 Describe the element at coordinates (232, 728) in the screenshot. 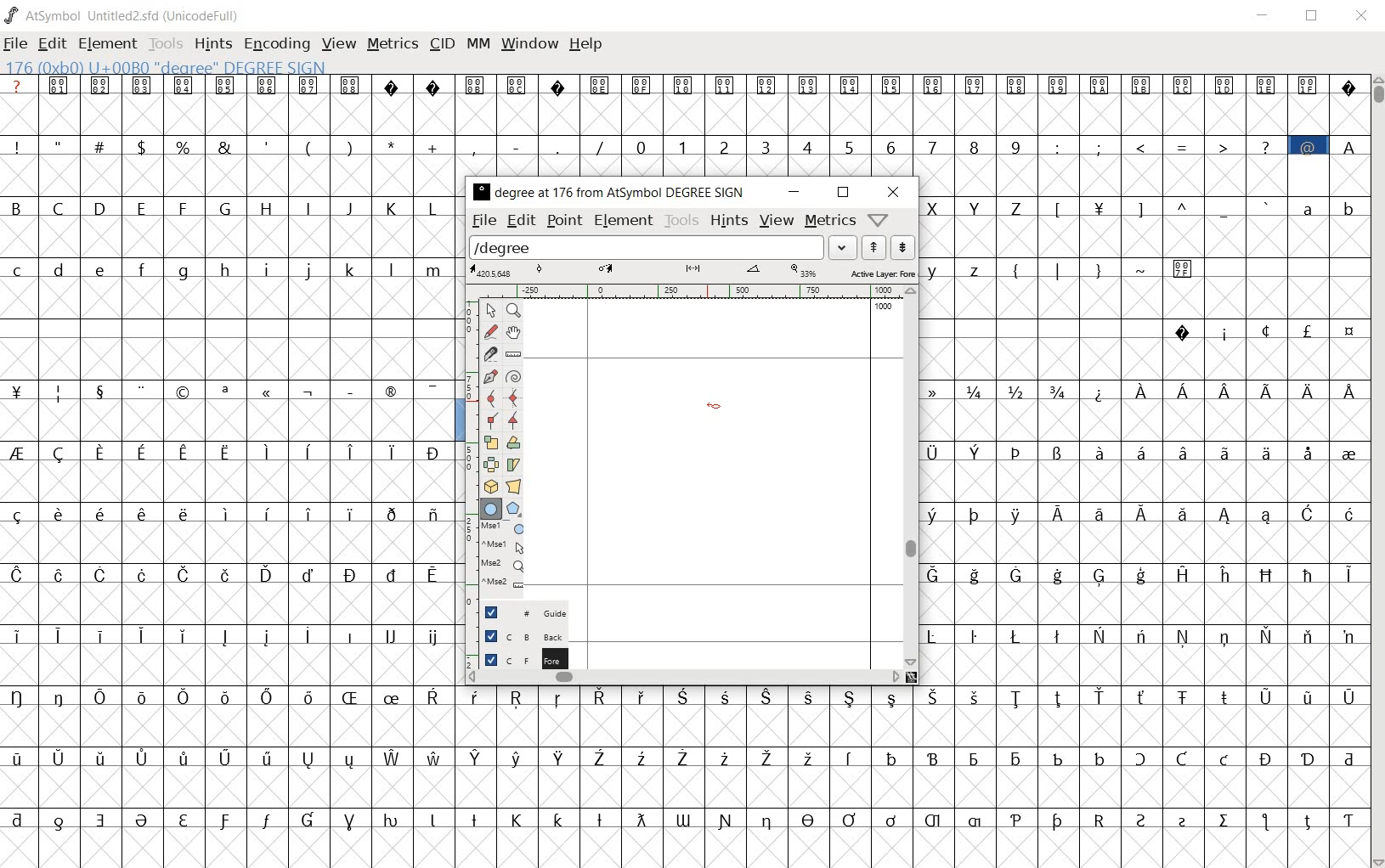

I see `empty glyph slots` at that location.